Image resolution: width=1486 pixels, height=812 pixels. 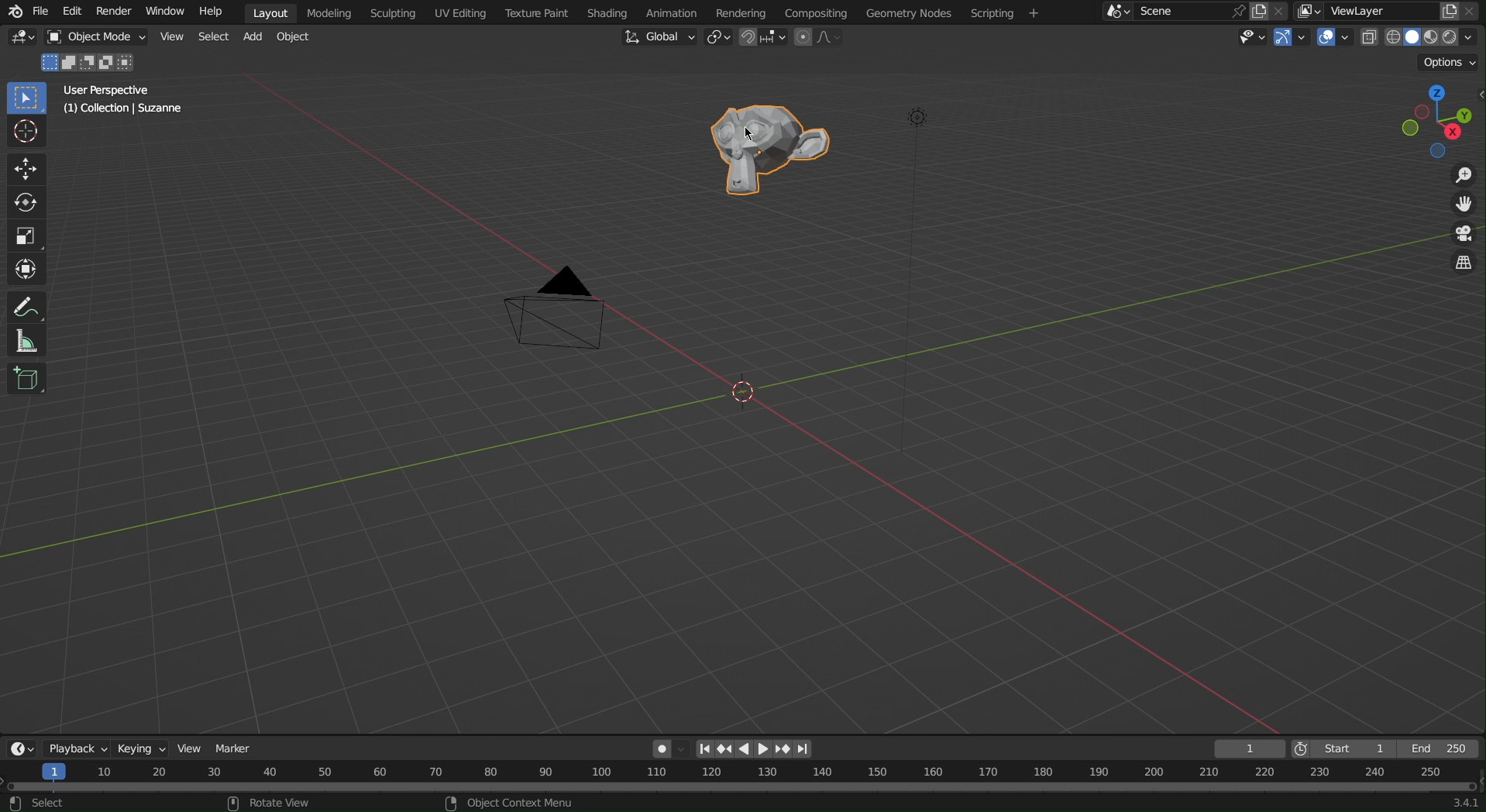 What do you see at coordinates (26, 201) in the screenshot?
I see `Rotate` at bounding box center [26, 201].